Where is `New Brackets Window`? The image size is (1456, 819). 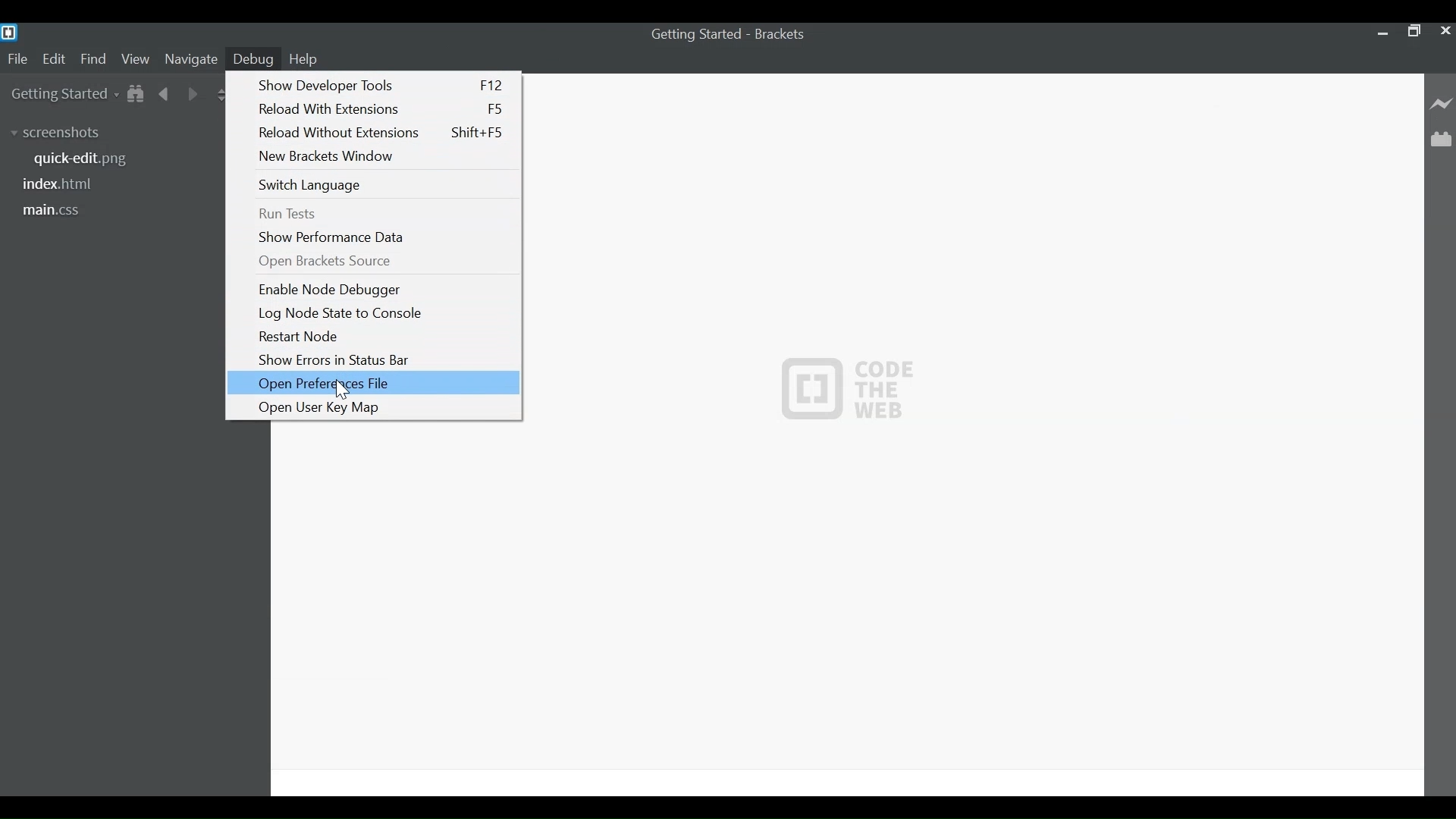 New Brackets Window is located at coordinates (384, 155).